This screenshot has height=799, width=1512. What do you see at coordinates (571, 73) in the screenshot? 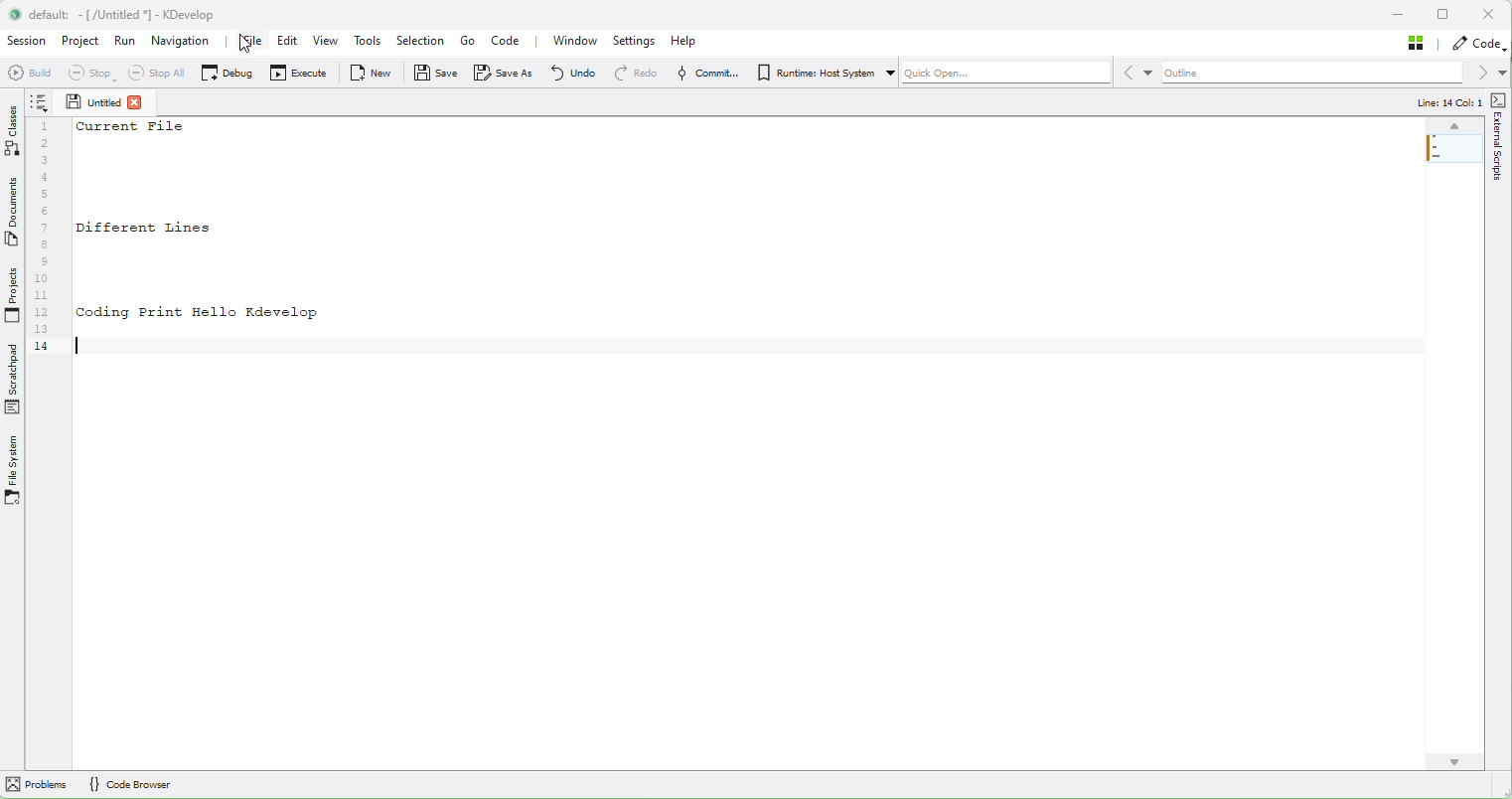
I see `undo` at bounding box center [571, 73].